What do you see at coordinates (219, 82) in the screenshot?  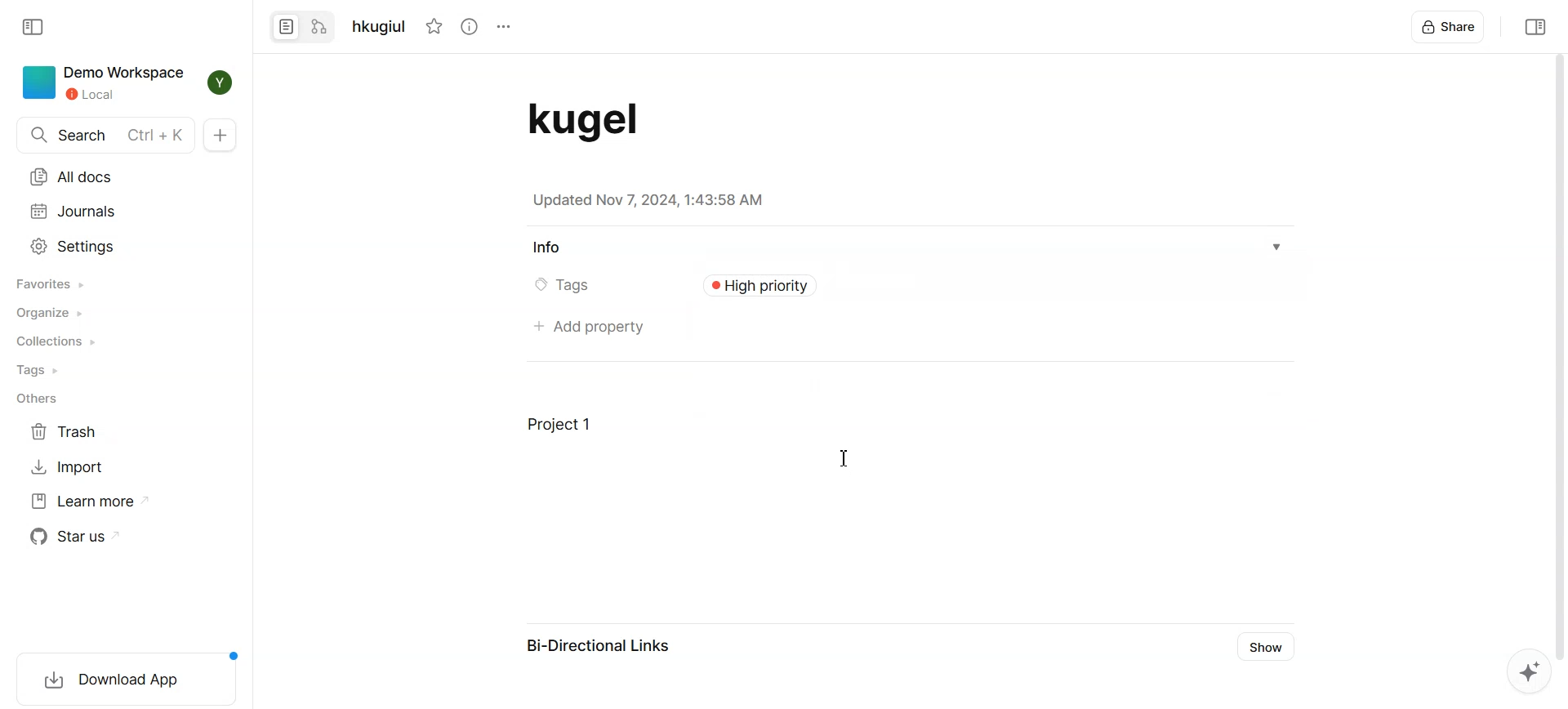 I see `Profile` at bounding box center [219, 82].